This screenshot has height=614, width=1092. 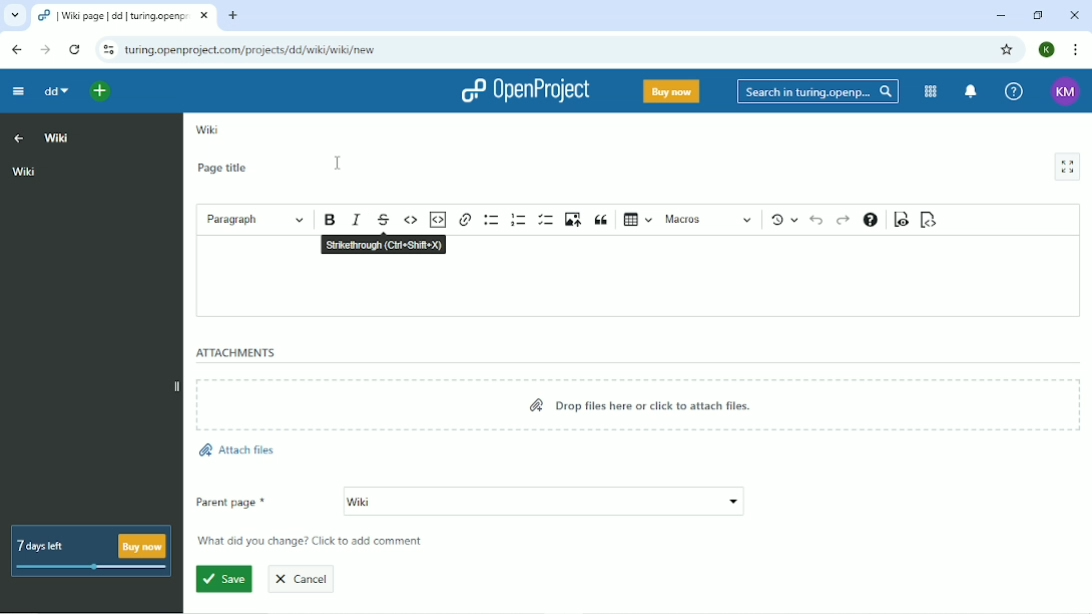 What do you see at coordinates (232, 502) in the screenshot?
I see `Parent page` at bounding box center [232, 502].